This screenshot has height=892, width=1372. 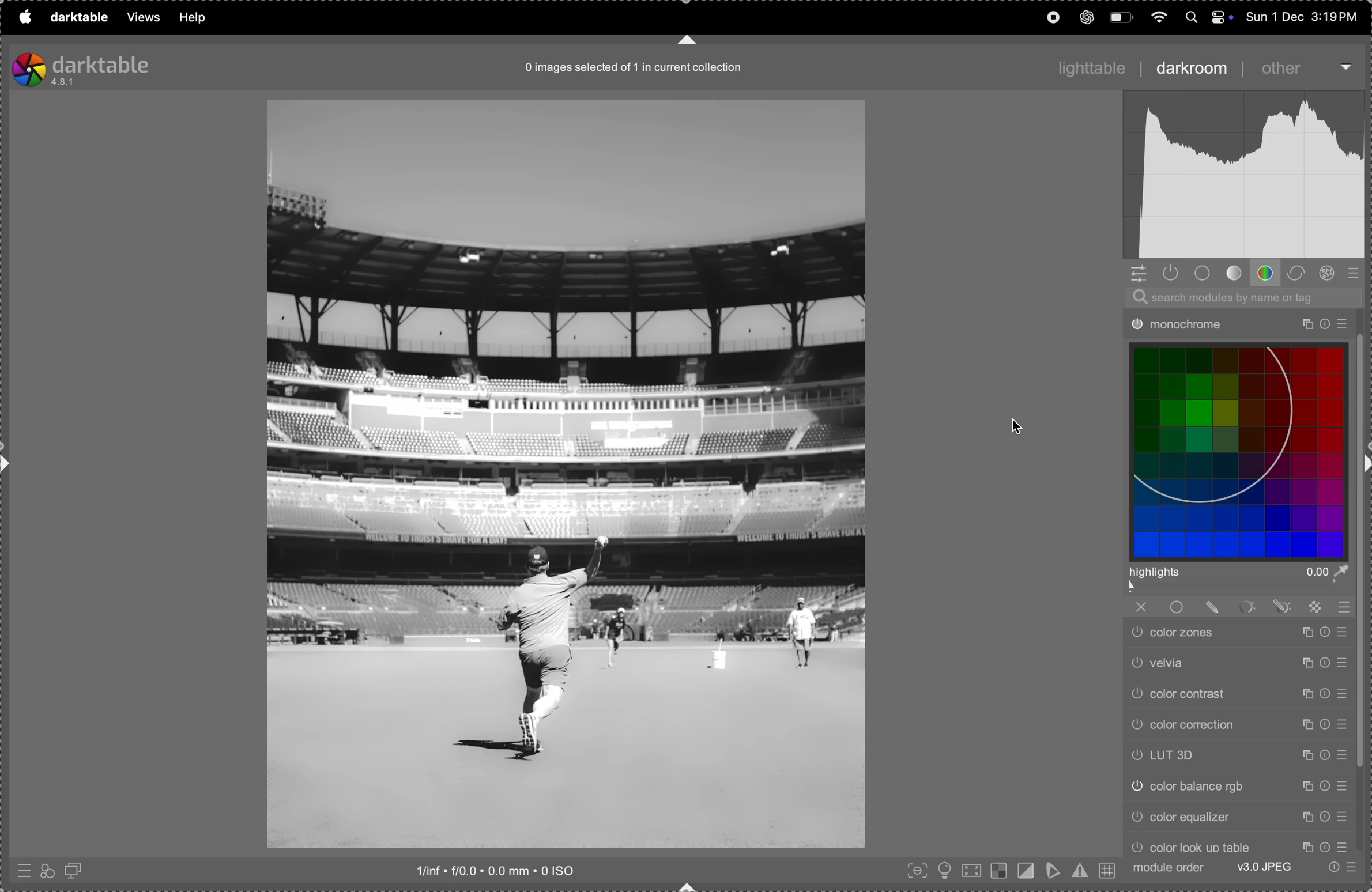 I want to click on , so click(x=685, y=41).